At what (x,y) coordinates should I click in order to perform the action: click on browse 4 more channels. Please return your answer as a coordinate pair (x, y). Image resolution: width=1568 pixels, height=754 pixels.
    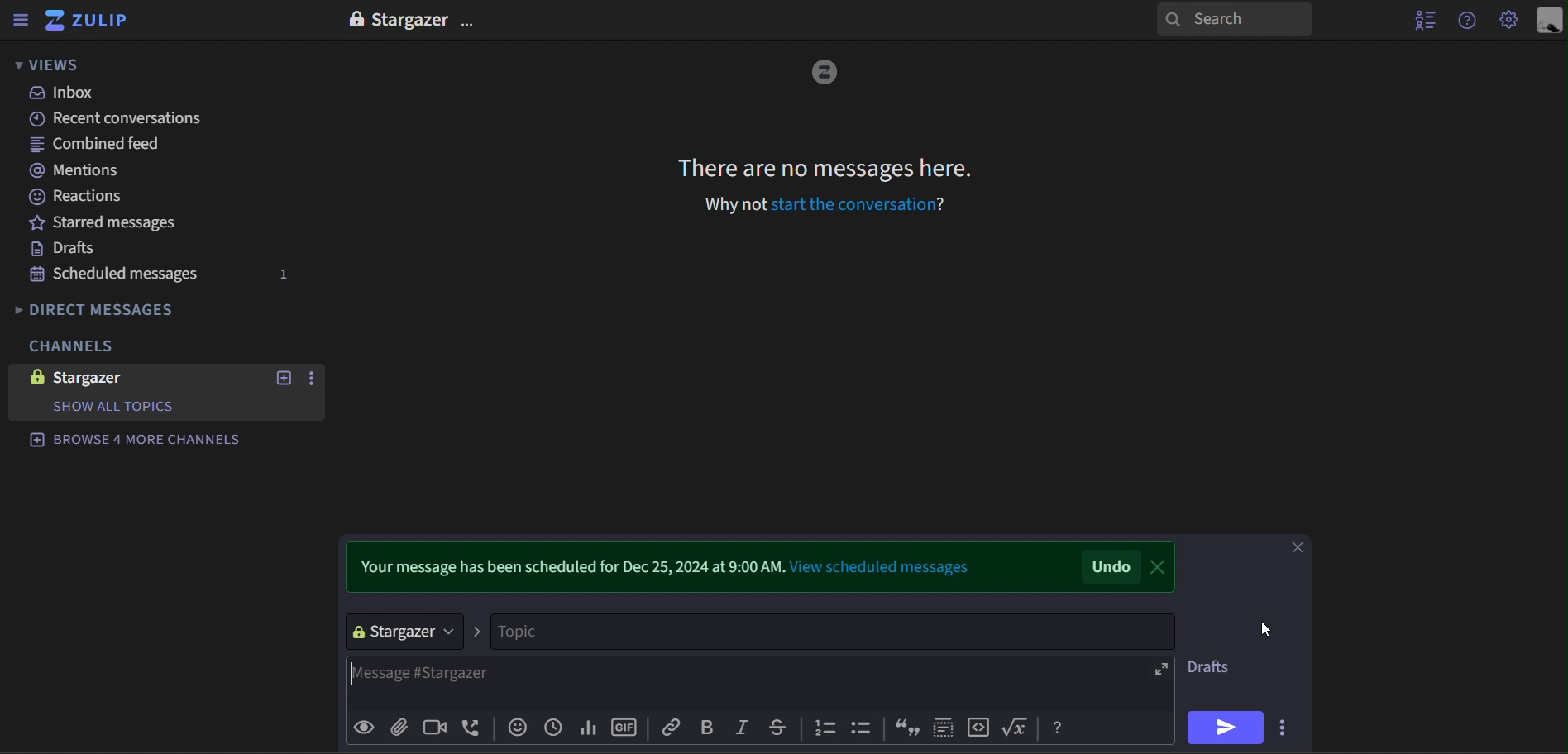
    Looking at the image, I should click on (138, 436).